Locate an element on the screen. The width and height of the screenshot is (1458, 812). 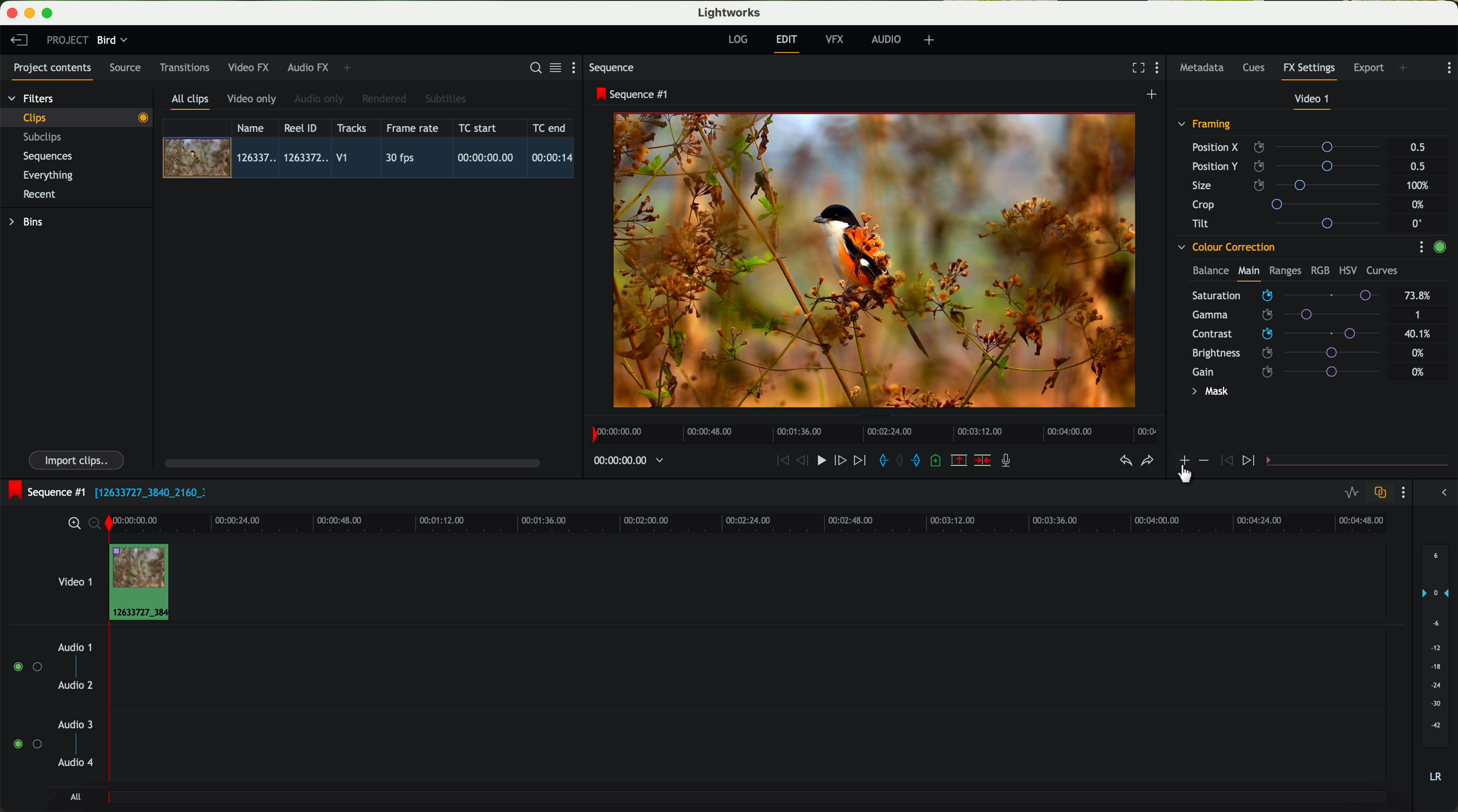
video FX is located at coordinates (251, 67).